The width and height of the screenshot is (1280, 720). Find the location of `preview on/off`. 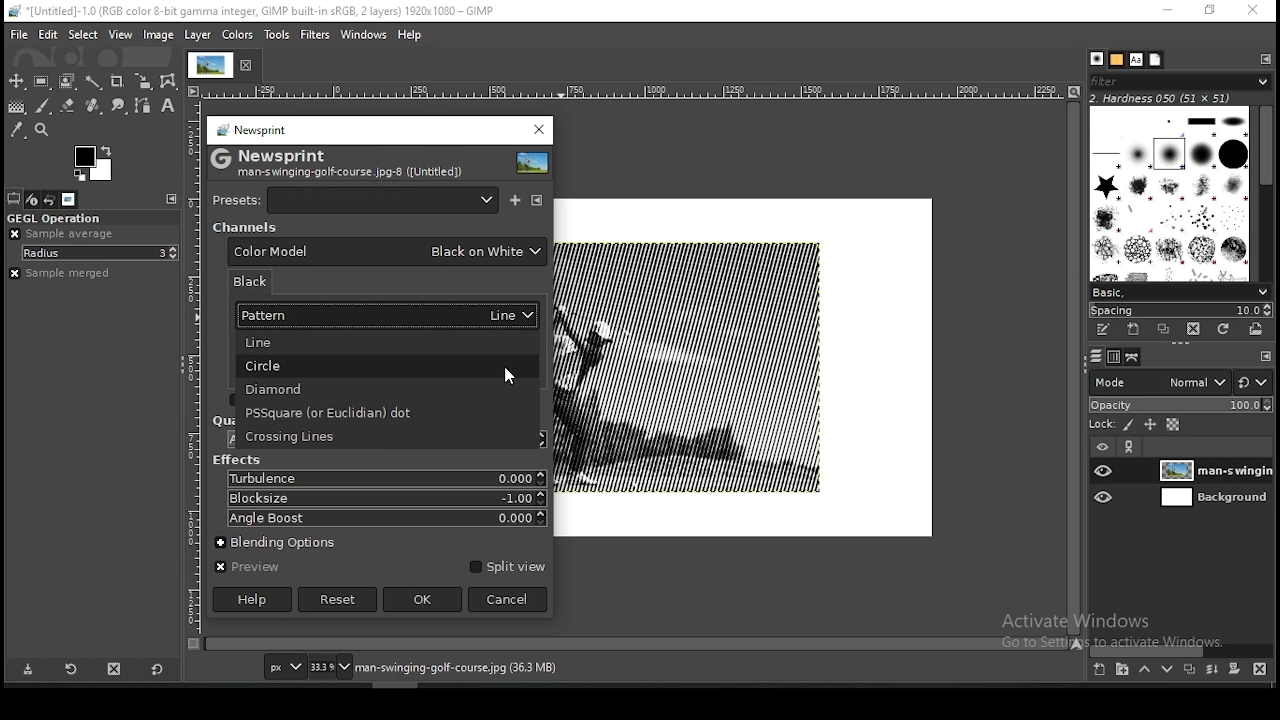

preview on/off is located at coordinates (247, 568).